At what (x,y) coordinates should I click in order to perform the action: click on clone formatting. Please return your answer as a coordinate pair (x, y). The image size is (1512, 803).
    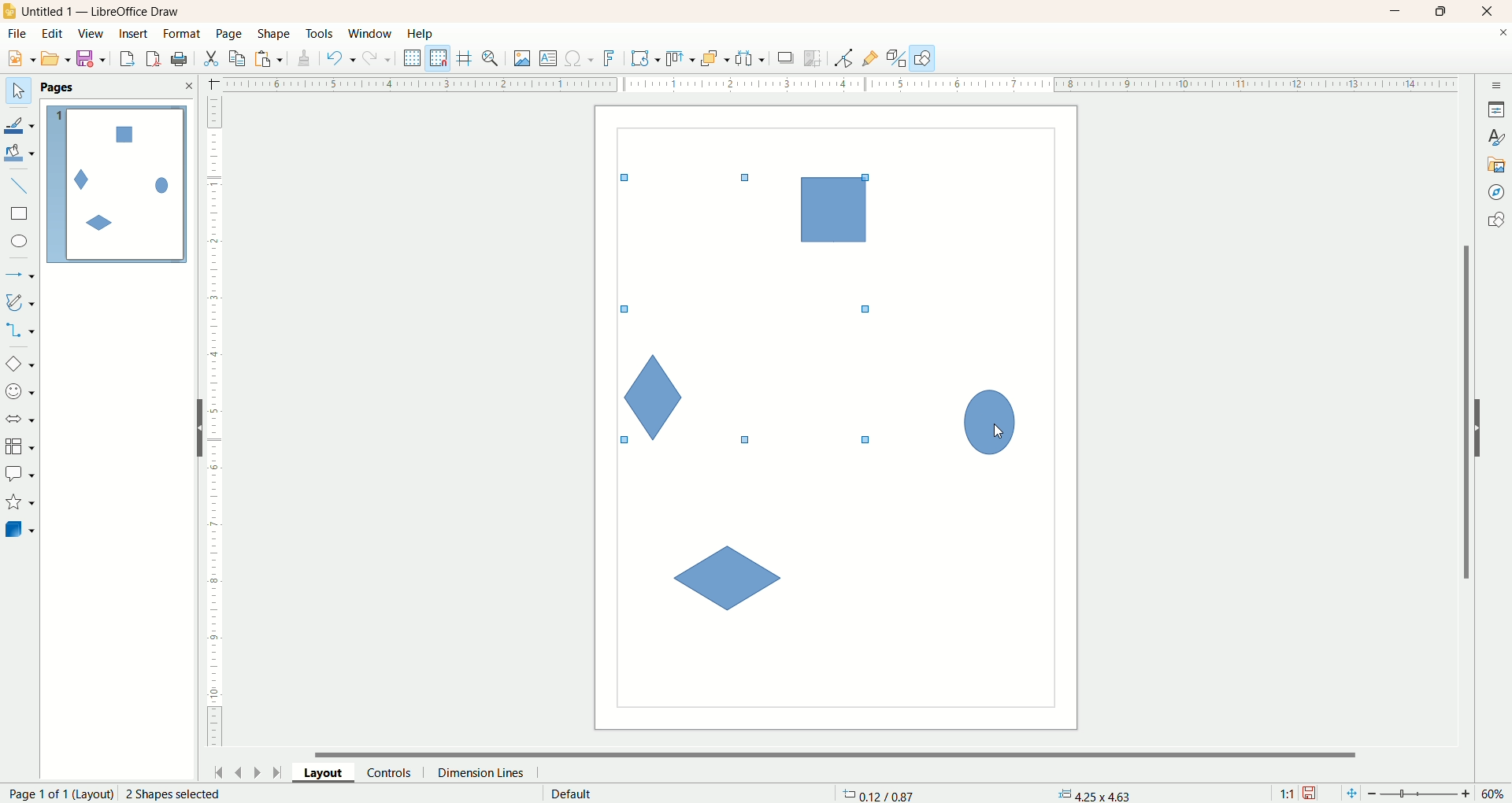
    Looking at the image, I should click on (305, 56).